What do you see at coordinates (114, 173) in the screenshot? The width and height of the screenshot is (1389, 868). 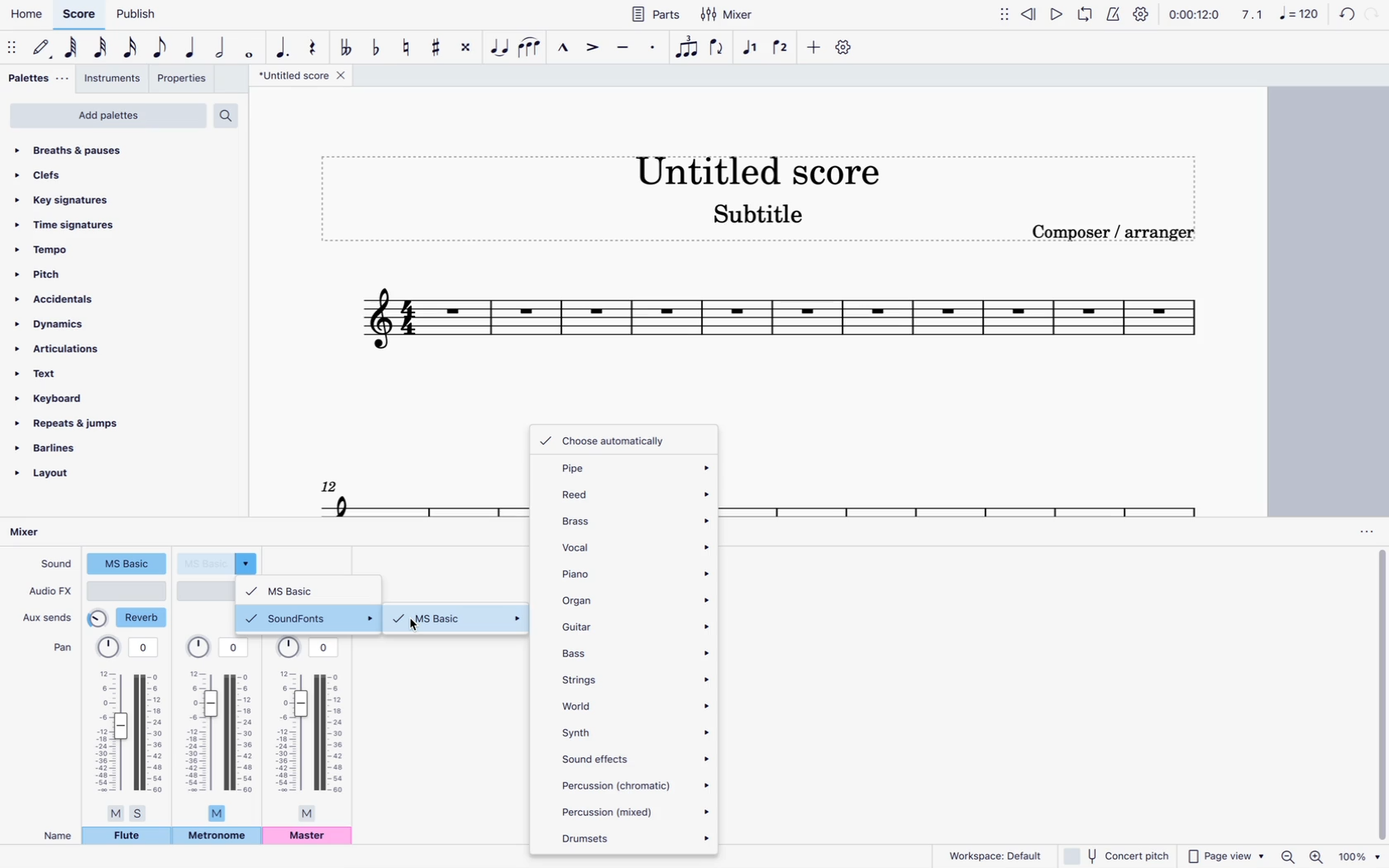 I see `clefs` at bounding box center [114, 173].